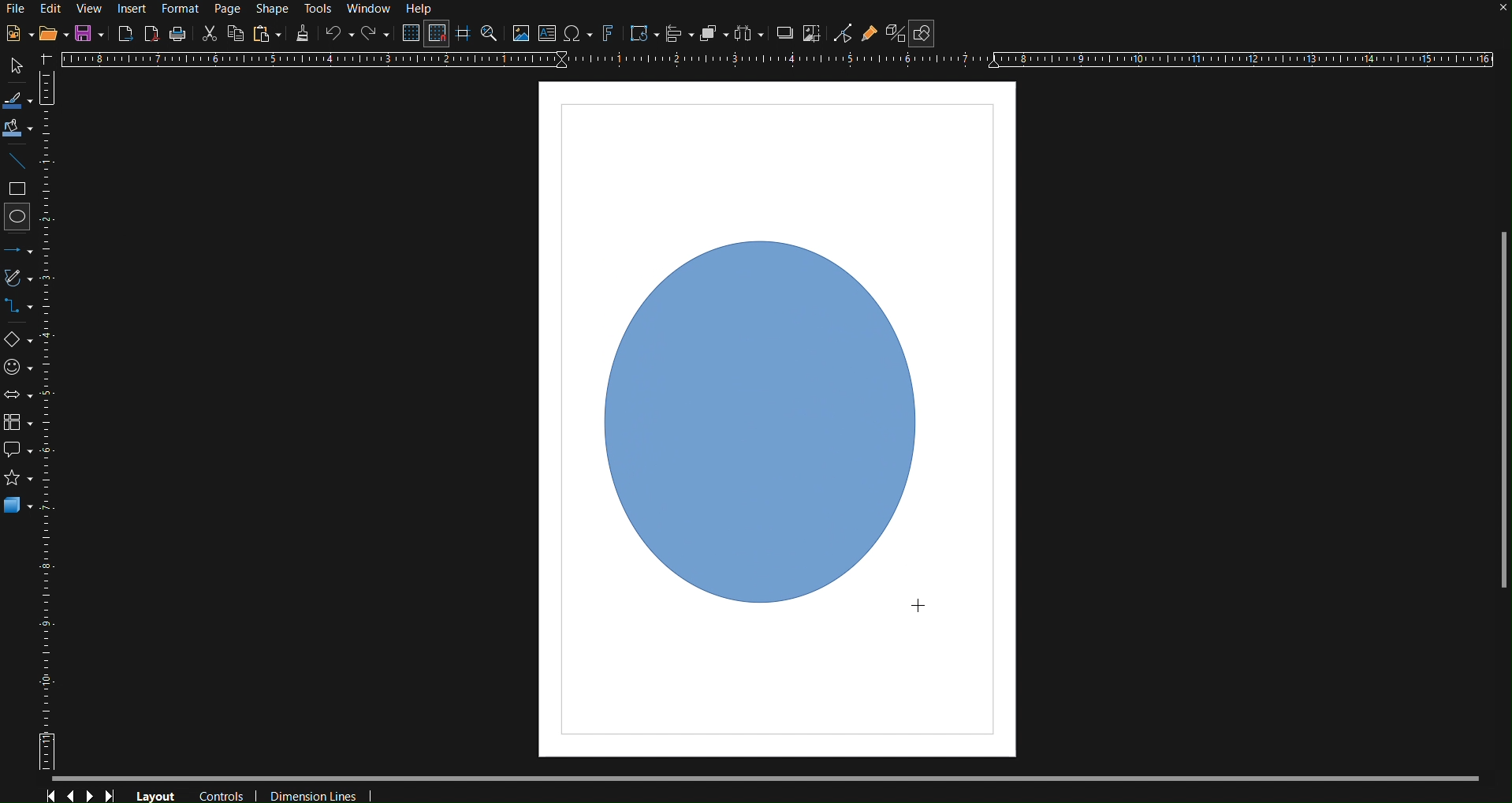  What do you see at coordinates (576, 35) in the screenshot?
I see `Insert special character` at bounding box center [576, 35].